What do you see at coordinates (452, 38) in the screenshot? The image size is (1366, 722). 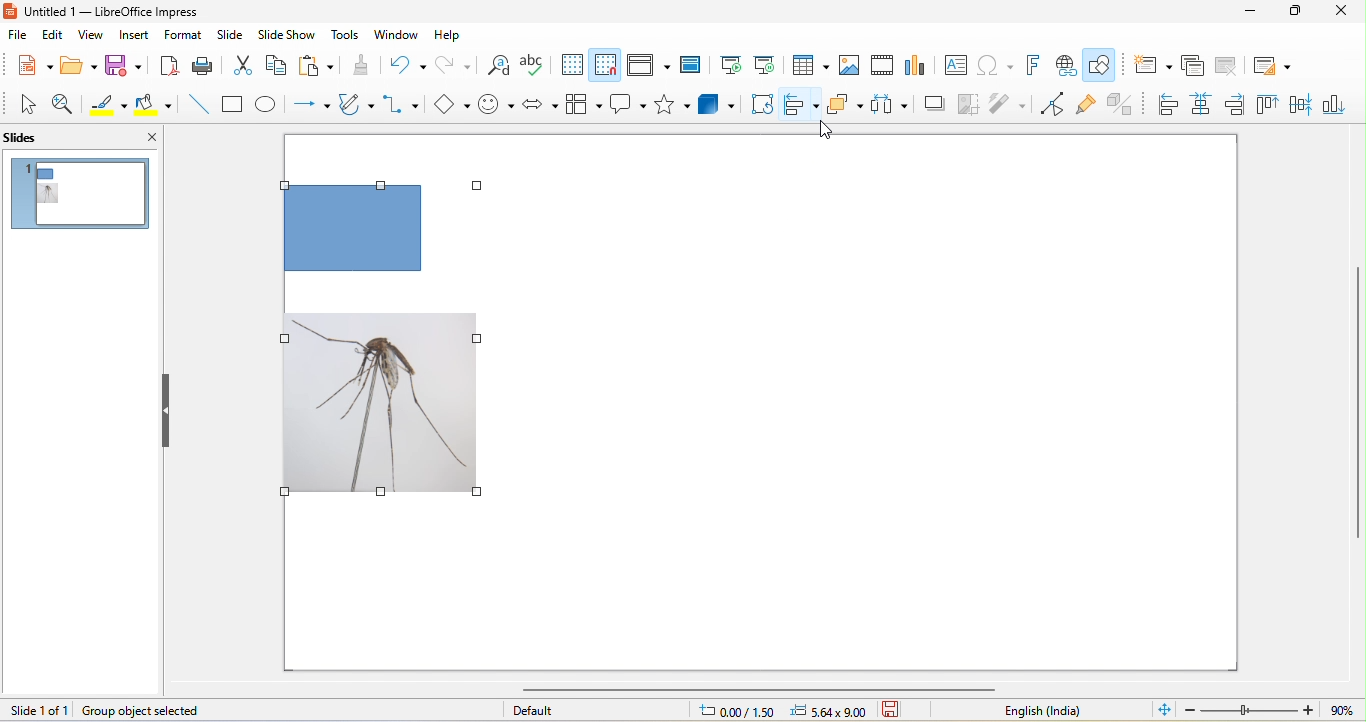 I see `help` at bounding box center [452, 38].